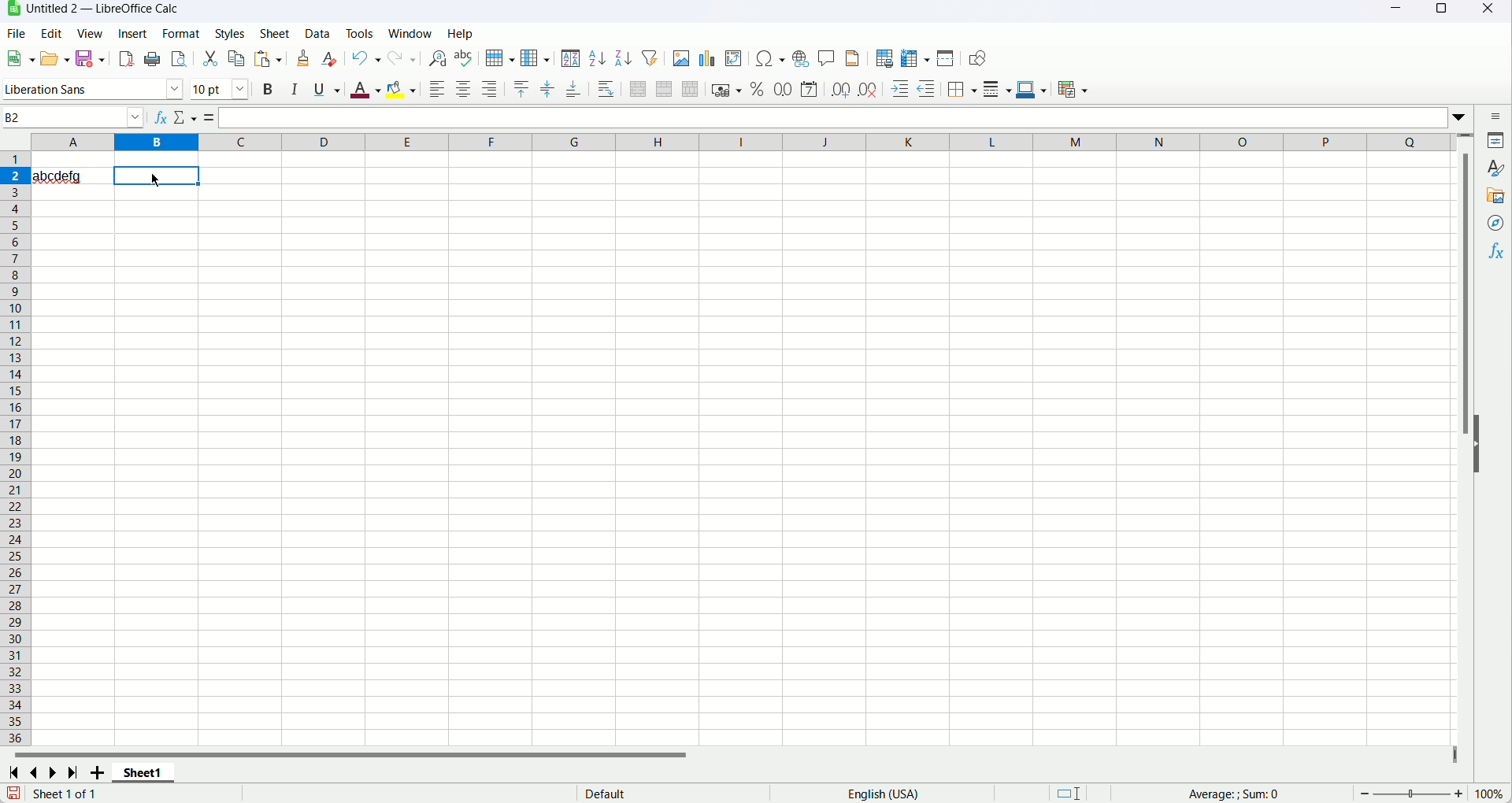 Image resolution: width=1512 pixels, height=803 pixels. What do you see at coordinates (799, 59) in the screenshot?
I see `insert hyperlink` at bounding box center [799, 59].